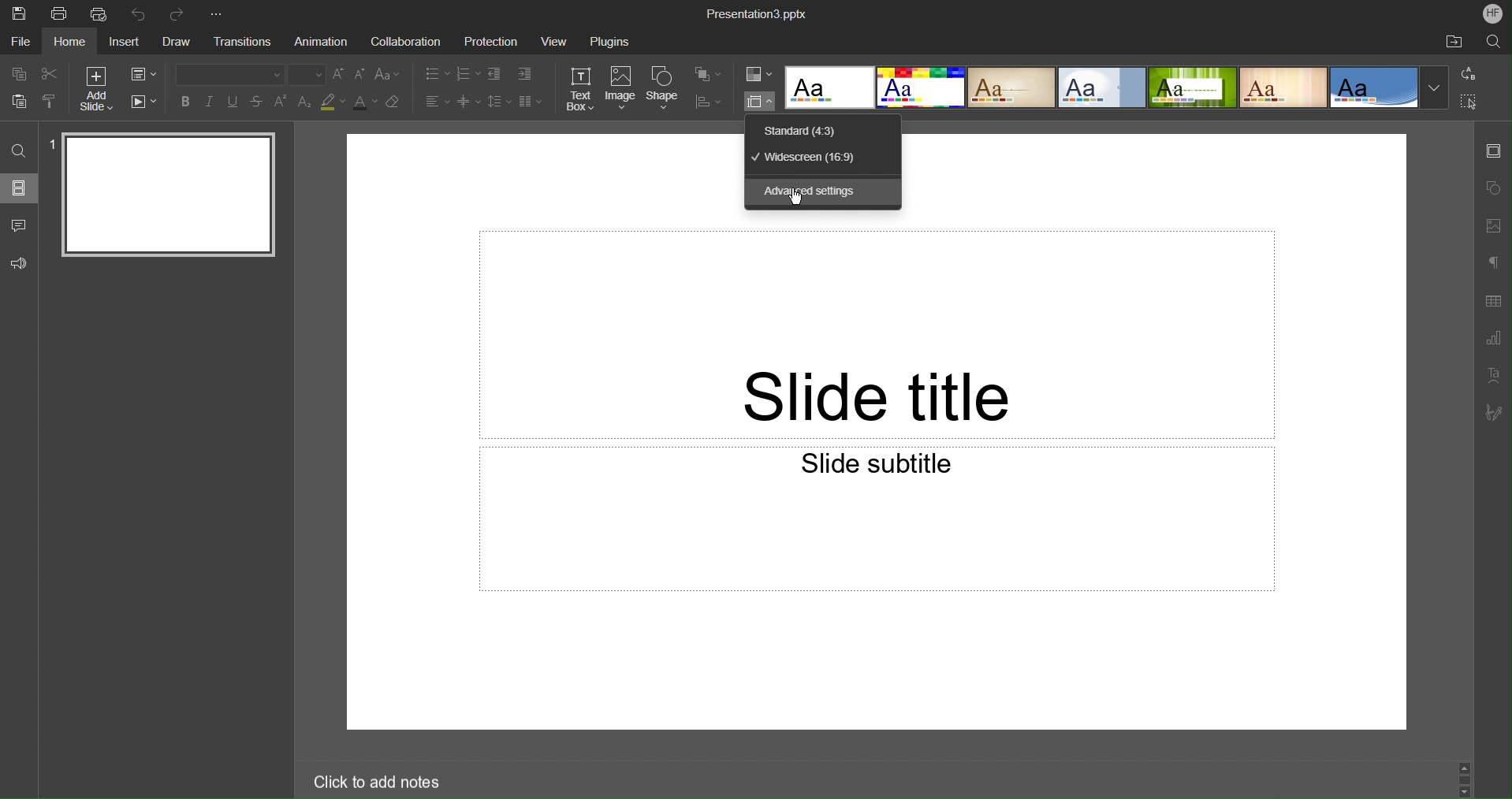 The width and height of the screenshot is (1512, 799). I want to click on Save, so click(20, 13).